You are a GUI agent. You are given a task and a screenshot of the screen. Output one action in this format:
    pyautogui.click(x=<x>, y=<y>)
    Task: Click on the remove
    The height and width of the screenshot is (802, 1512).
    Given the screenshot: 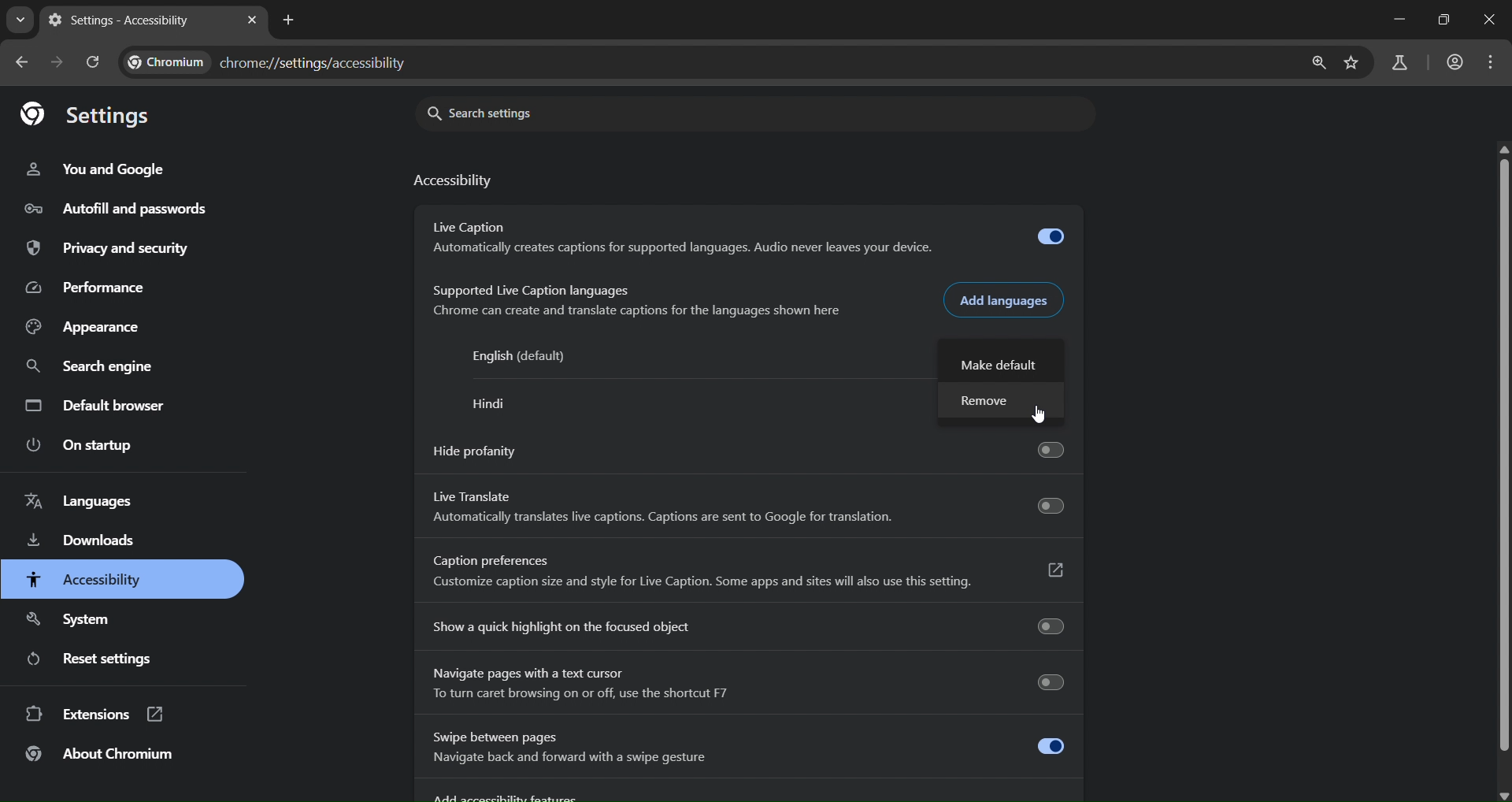 What is the action you would take?
    pyautogui.click(x=991, y=401)
    